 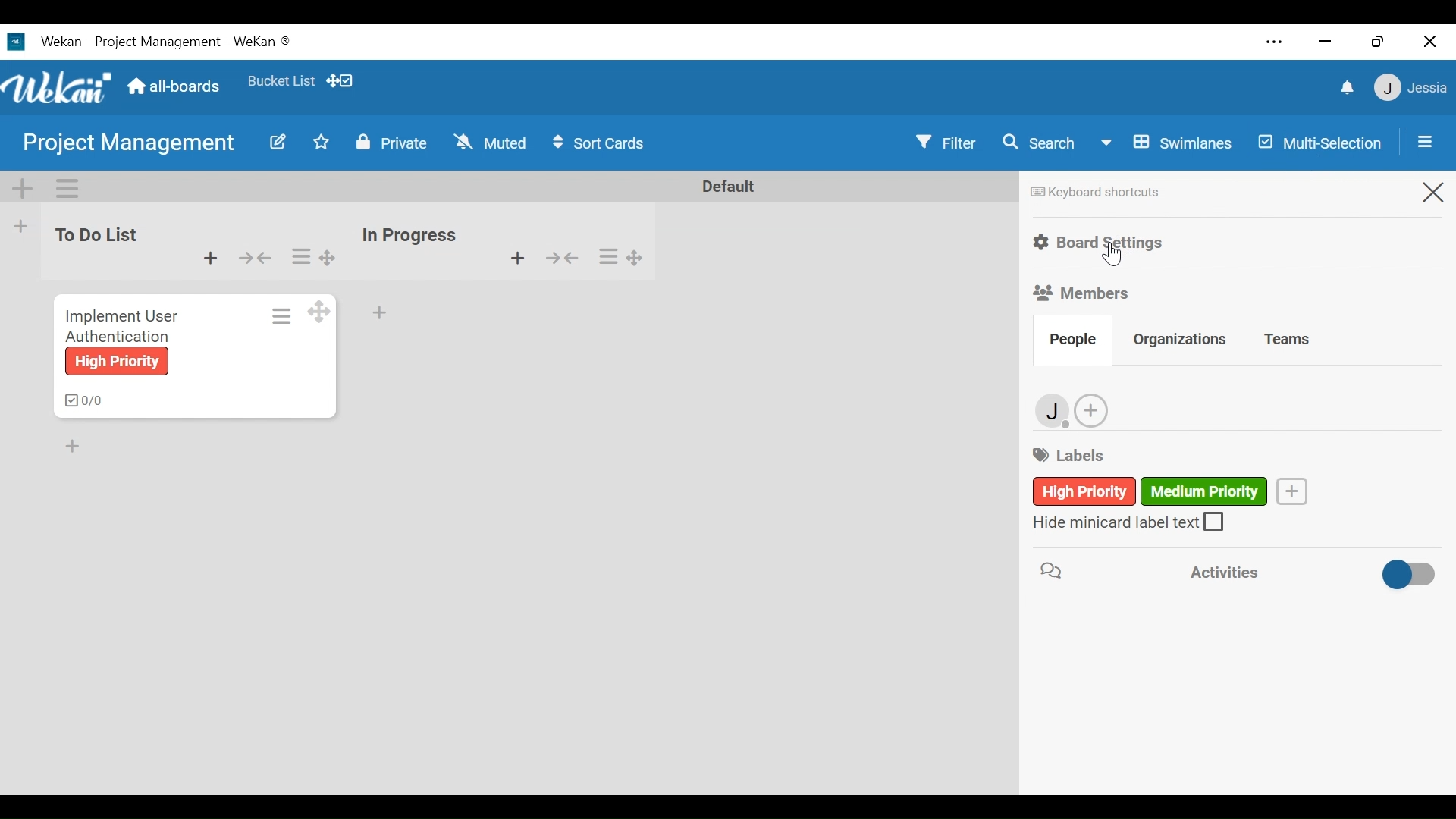 I want to click on Collapse, so click(x=560, y=258).